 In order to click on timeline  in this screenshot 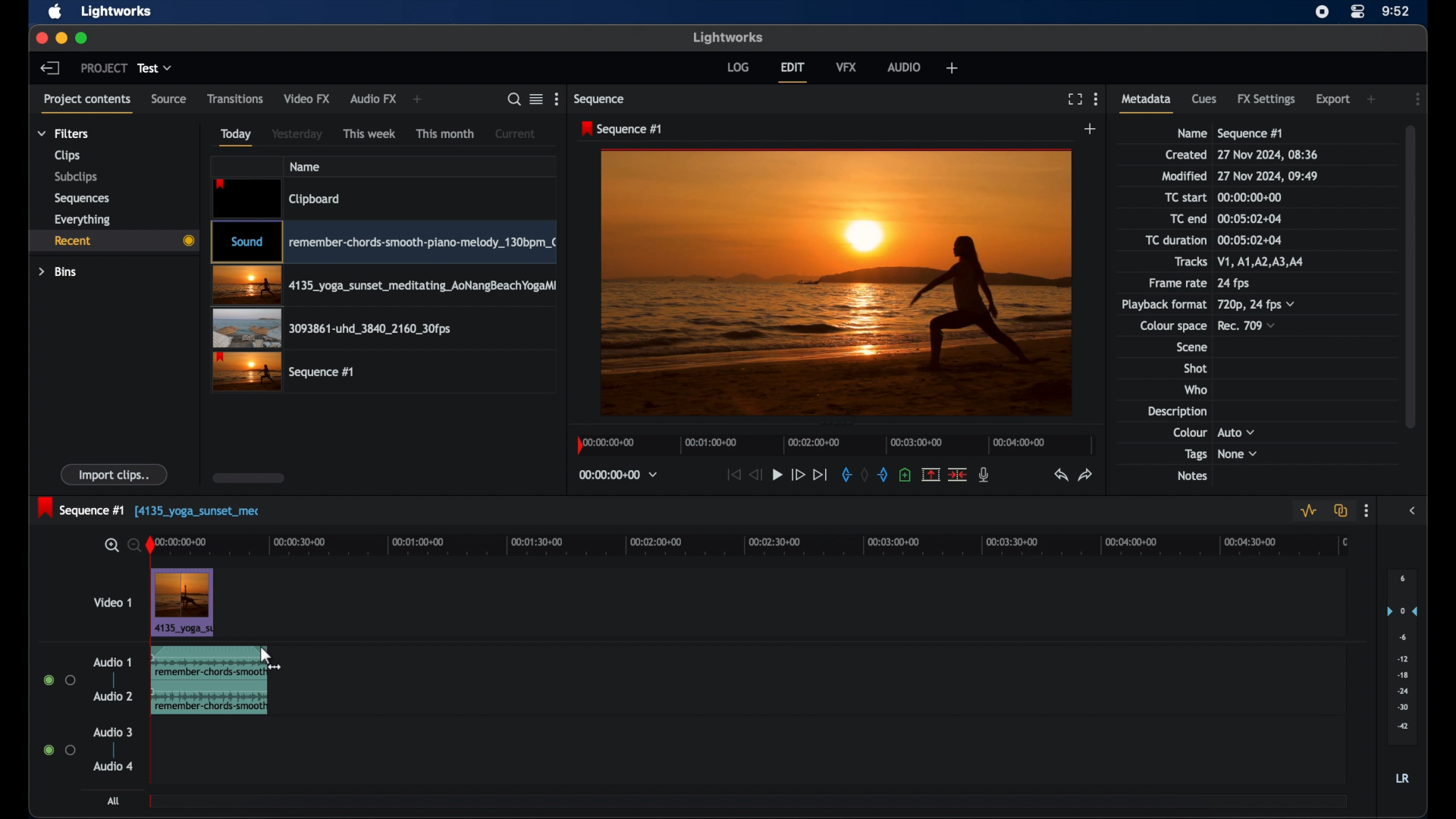, I will do `click(759, 546)`.